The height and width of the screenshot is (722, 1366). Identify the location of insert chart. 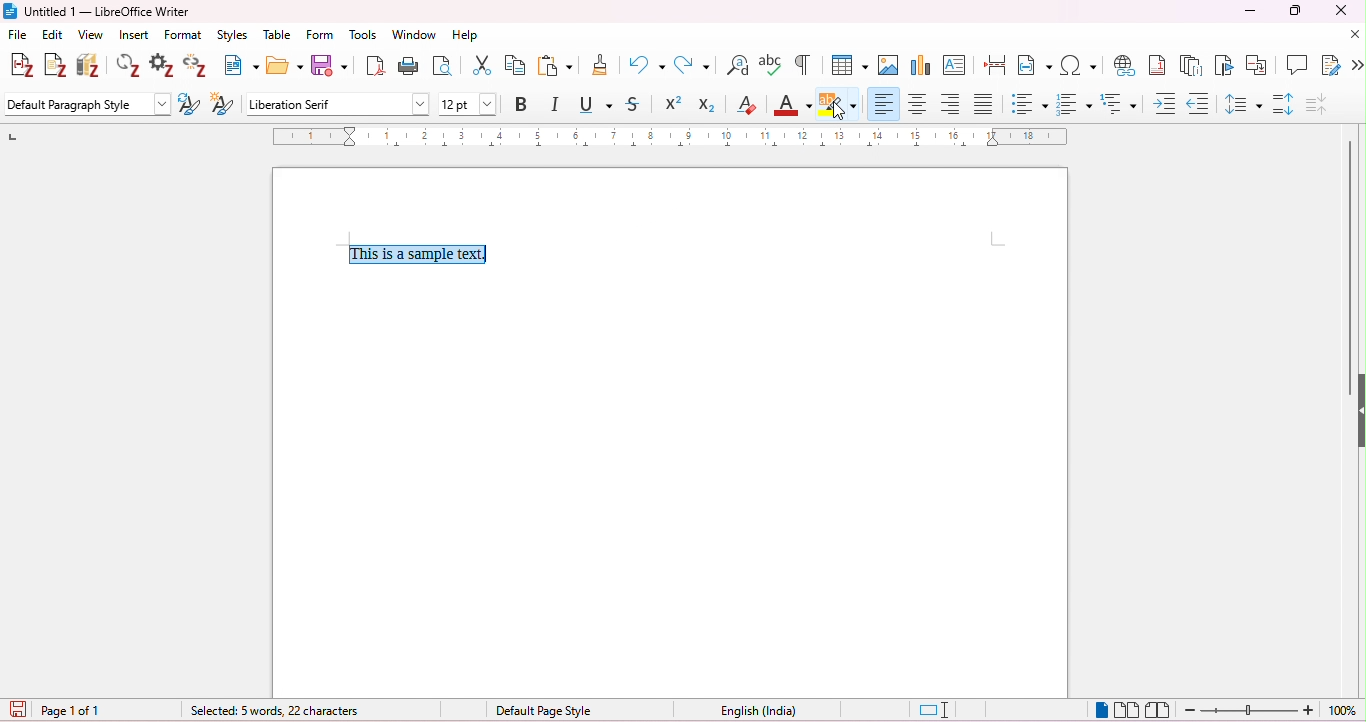
(922, 66).